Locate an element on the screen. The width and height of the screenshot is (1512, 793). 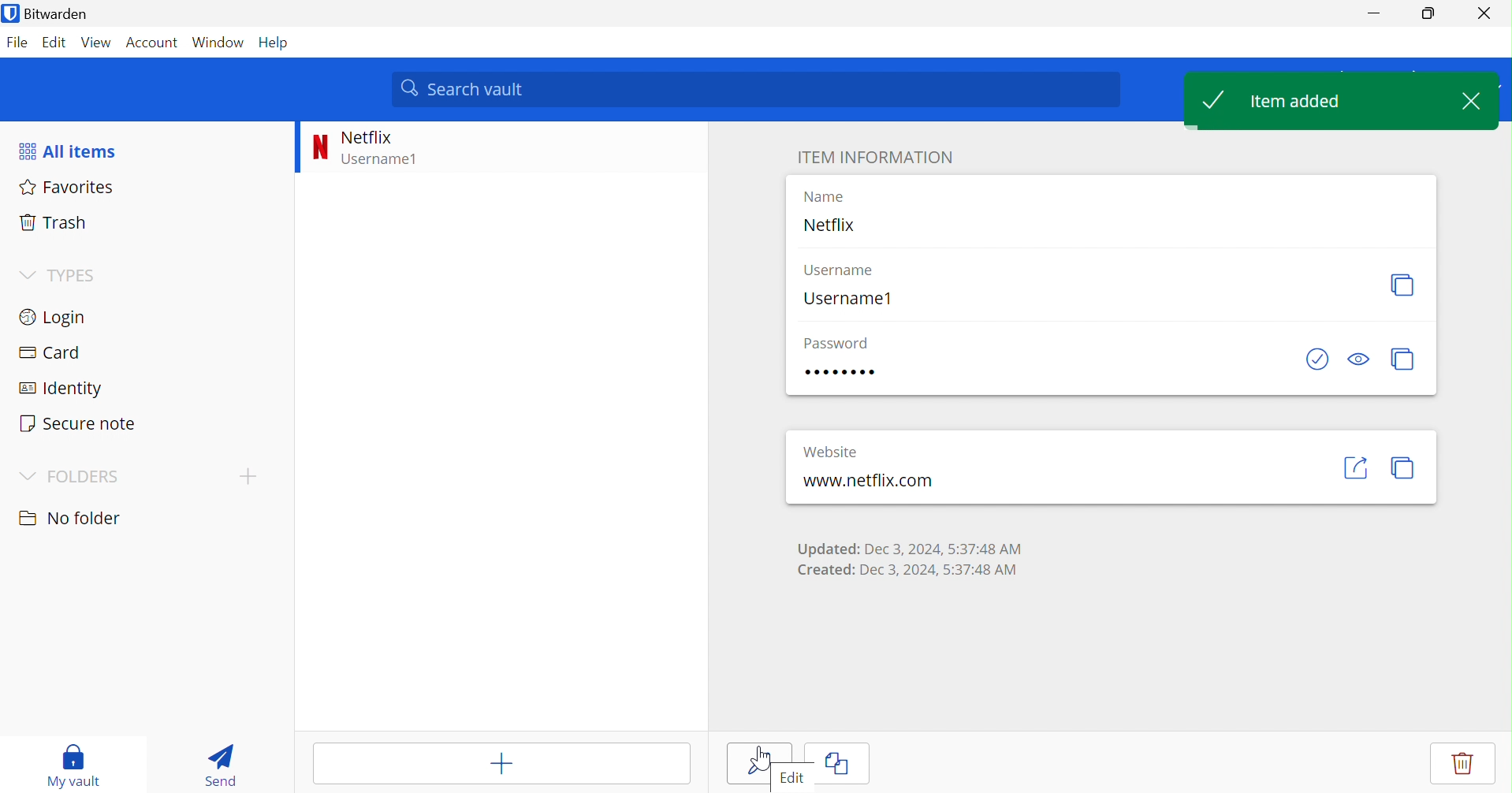
N is located at coordinates (321, 144).